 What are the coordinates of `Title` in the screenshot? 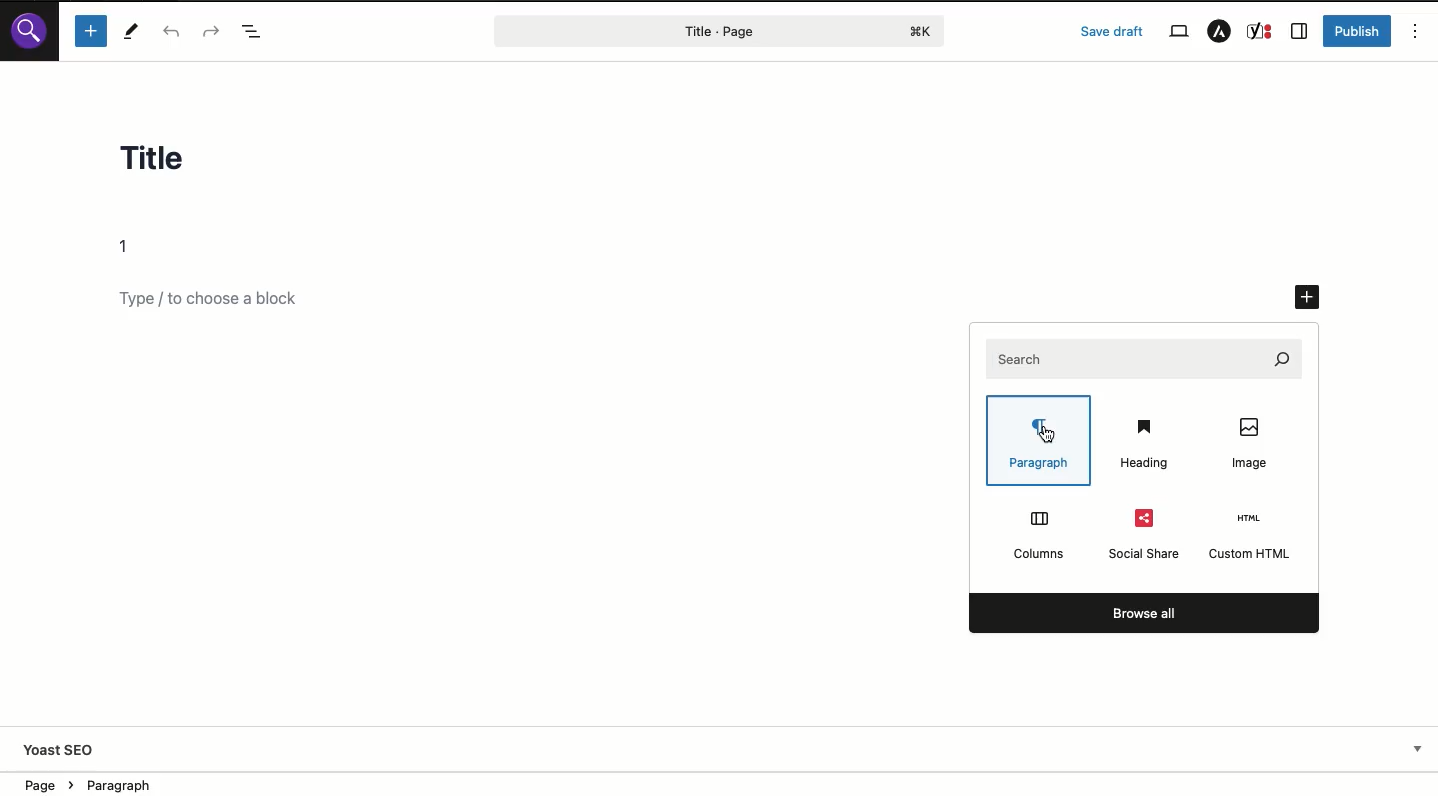 It's located at (171, 163).